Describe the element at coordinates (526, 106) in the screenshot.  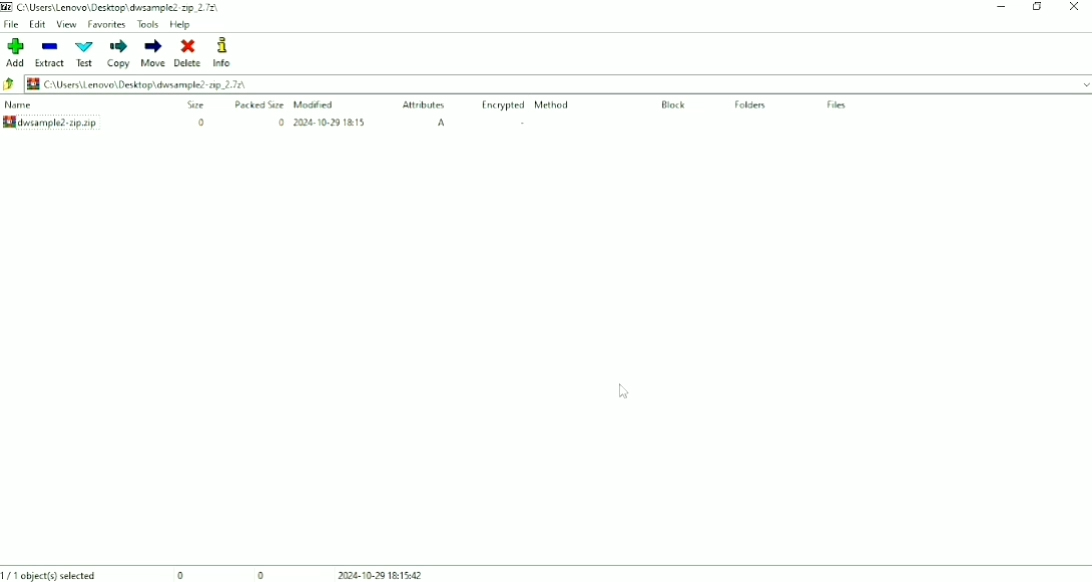
I see `Encrypted Method` at that location.